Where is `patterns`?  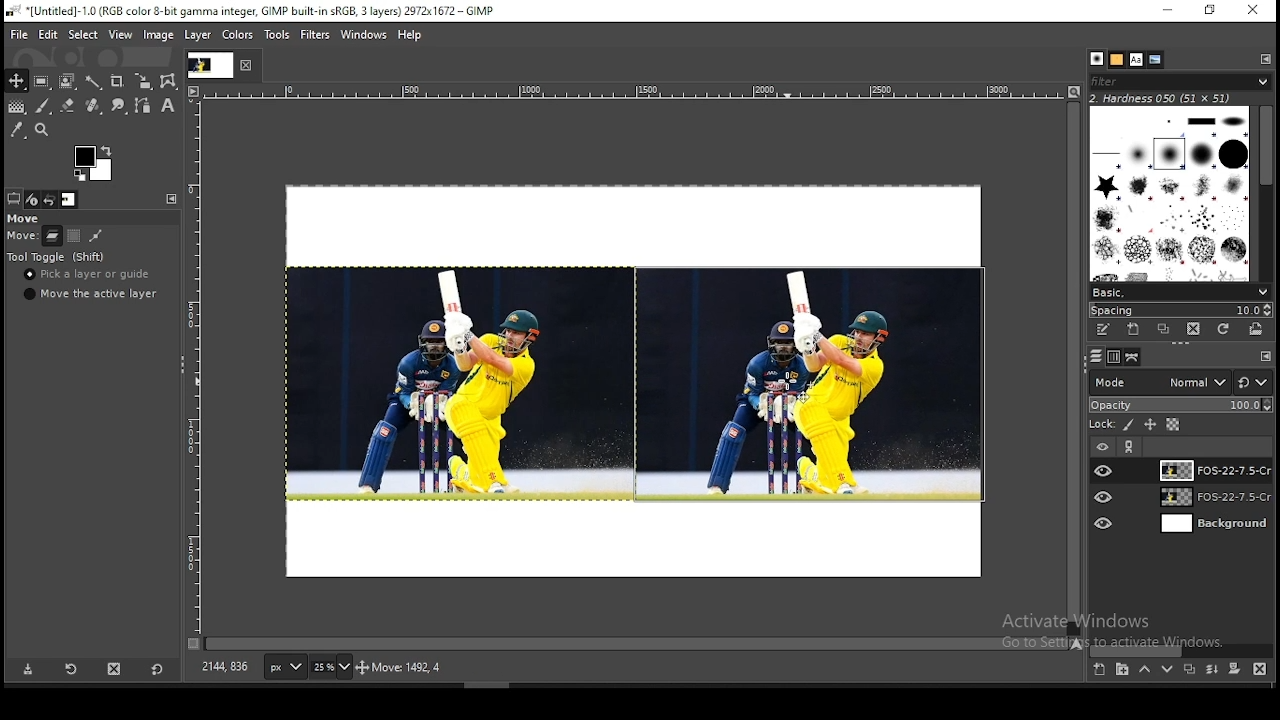 patterns is located at coordinates (1117, 59).